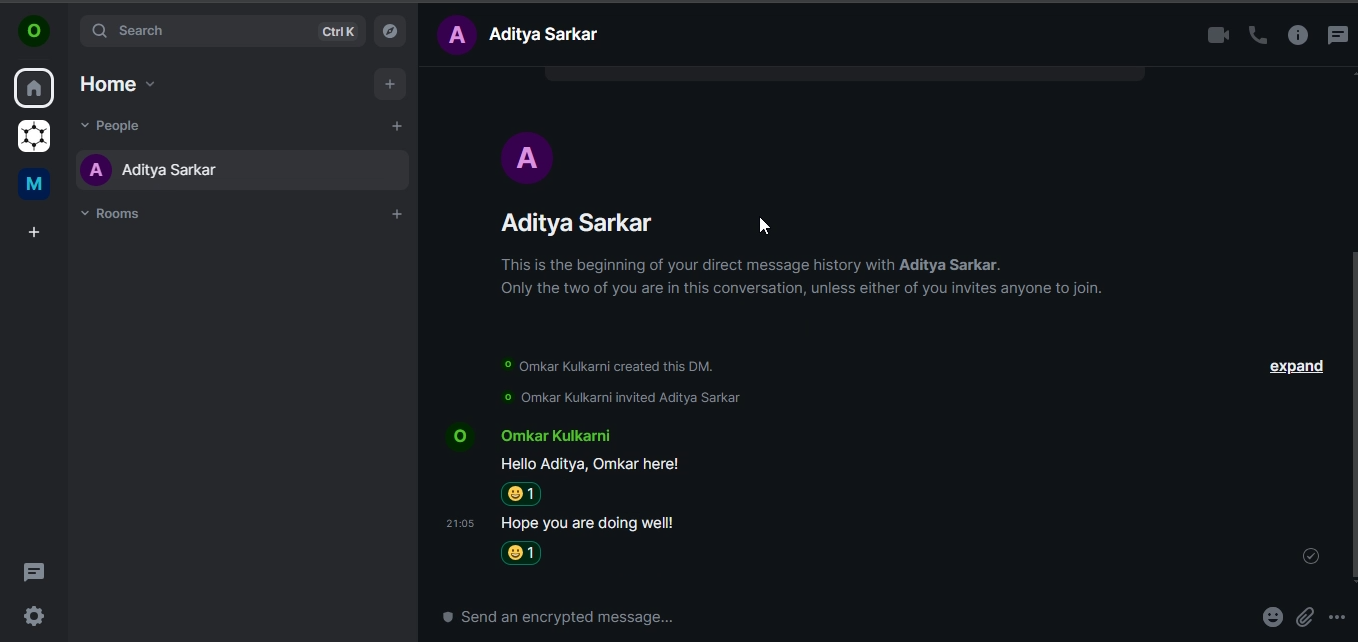 Image resolution: width=1358 pixels, height=642 pixels. What do you see at coordinates (581, 223) in the screenshot?
I see `Aditya Sarkar` at bounding box center [581, 223].